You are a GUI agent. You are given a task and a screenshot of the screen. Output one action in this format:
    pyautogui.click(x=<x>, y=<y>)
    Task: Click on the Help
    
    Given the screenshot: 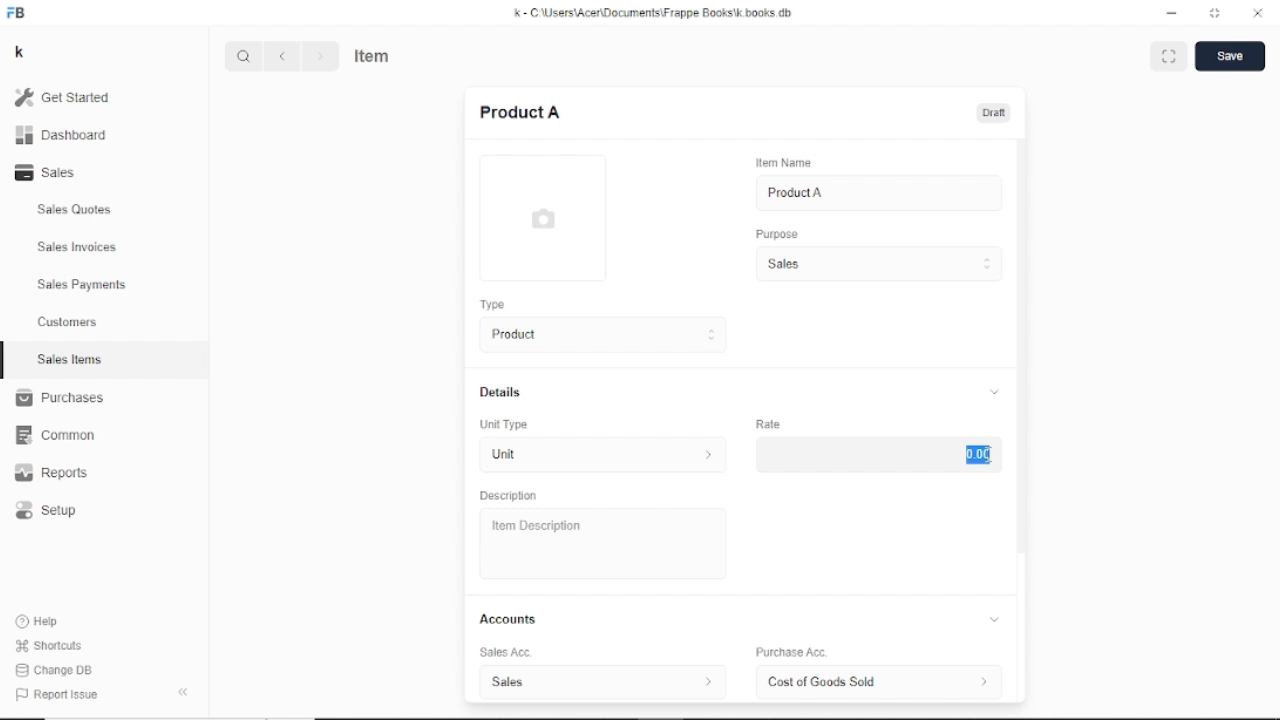 What is the action you would take?
    pyautogui.click(x=41, y=621)
    